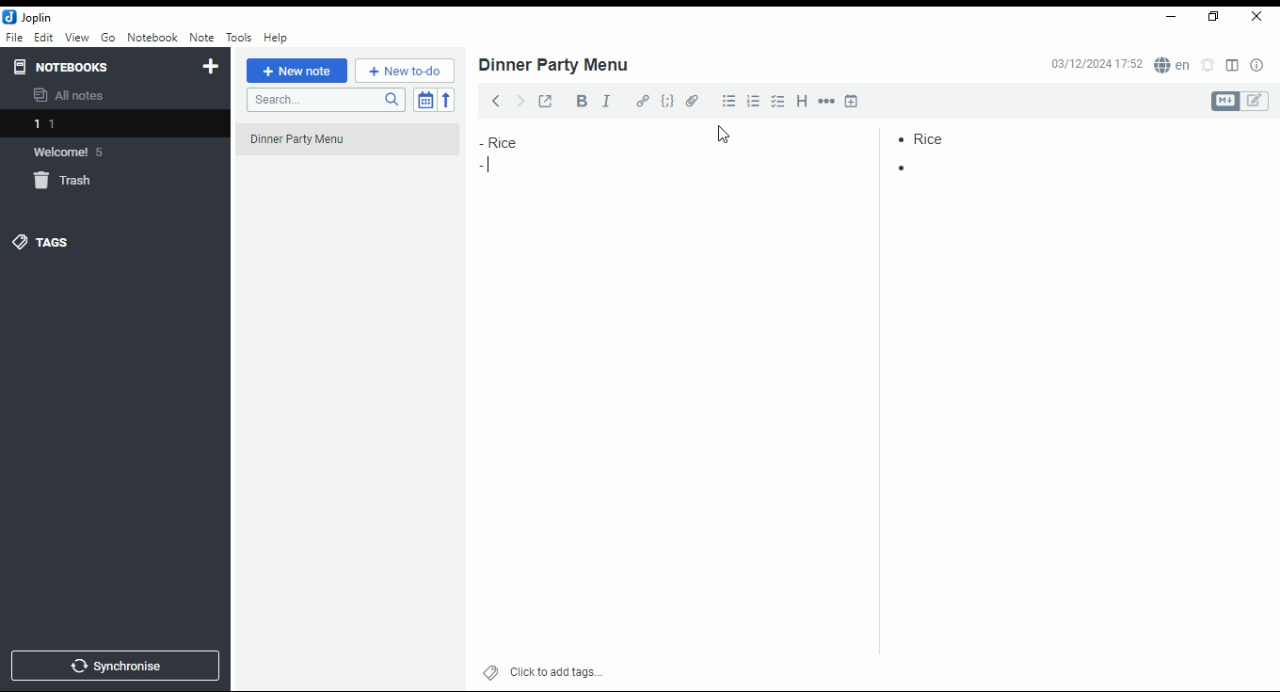 Image resolution: width=1280 pixels, height=692 pixels. I want to click on reverse sort order, so click(448, 99).